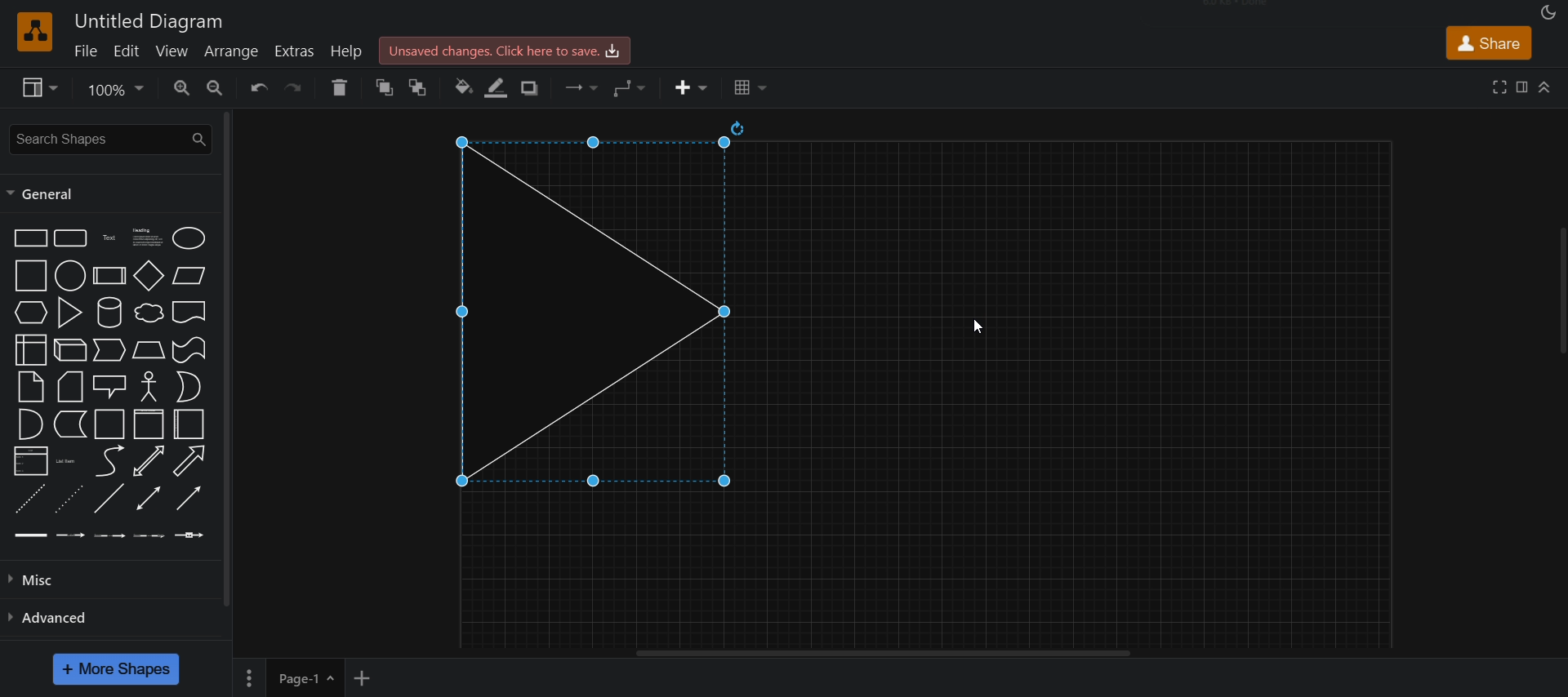  Describe the element at coordinates (69, 386) in the screenshot. I see `card` at that location.